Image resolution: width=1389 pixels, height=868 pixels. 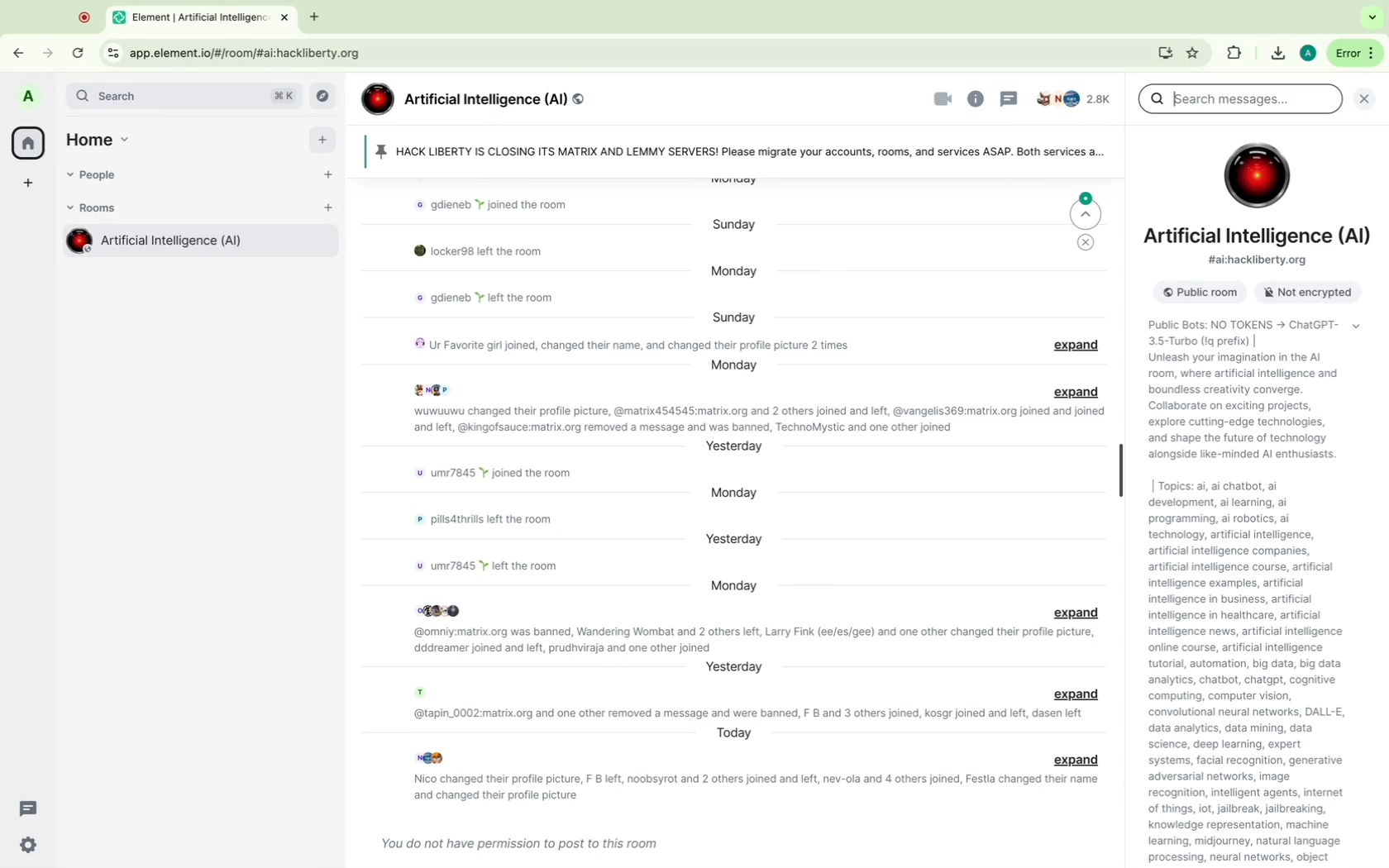 I want to click on add, so click(x=322, y=144).